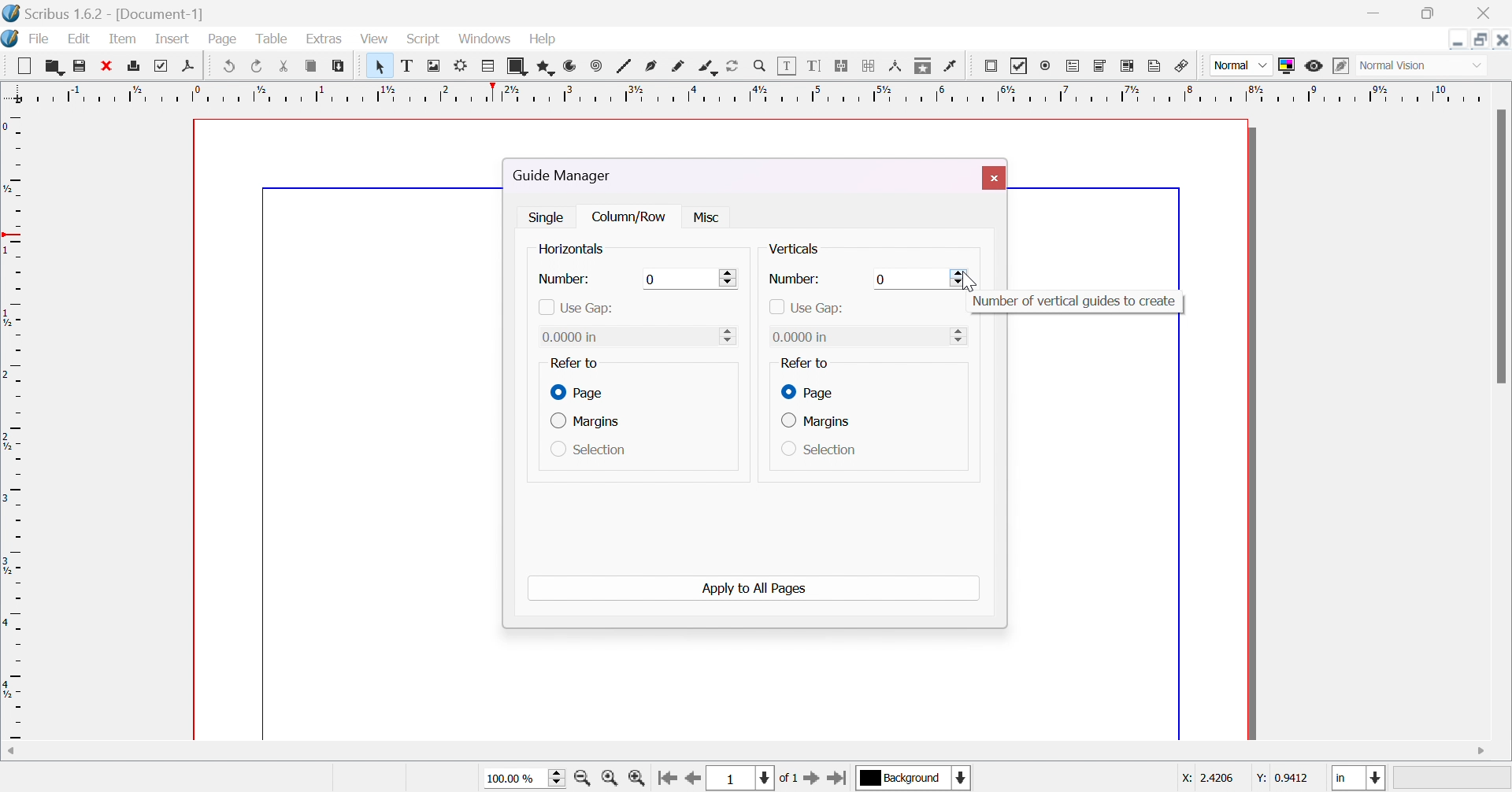 The height and width of the screenshot is (792, 1512). I want to click on preflight verifier, so click(166, 65).